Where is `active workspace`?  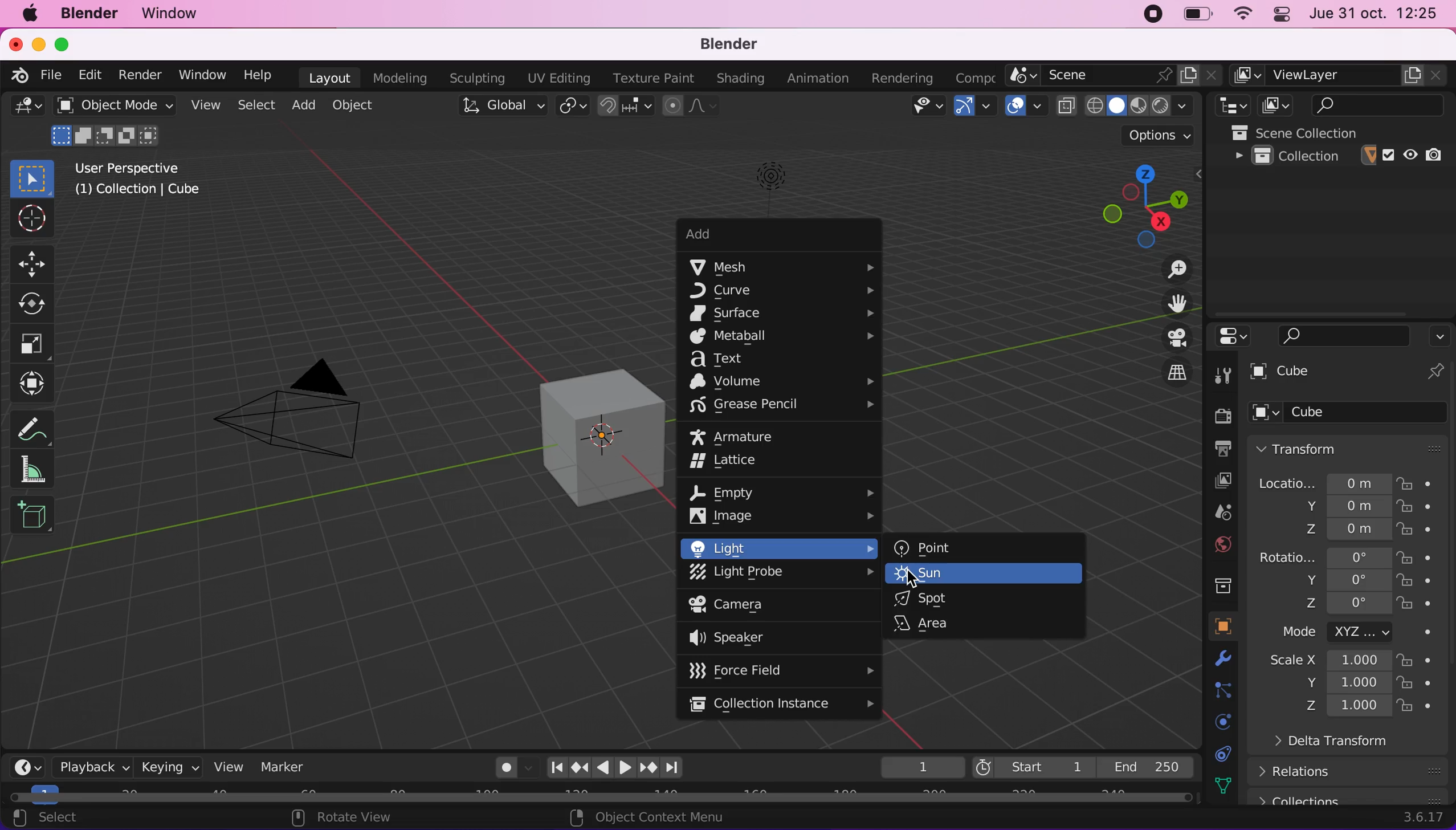 active workspace is located at coordinates (970, 78).